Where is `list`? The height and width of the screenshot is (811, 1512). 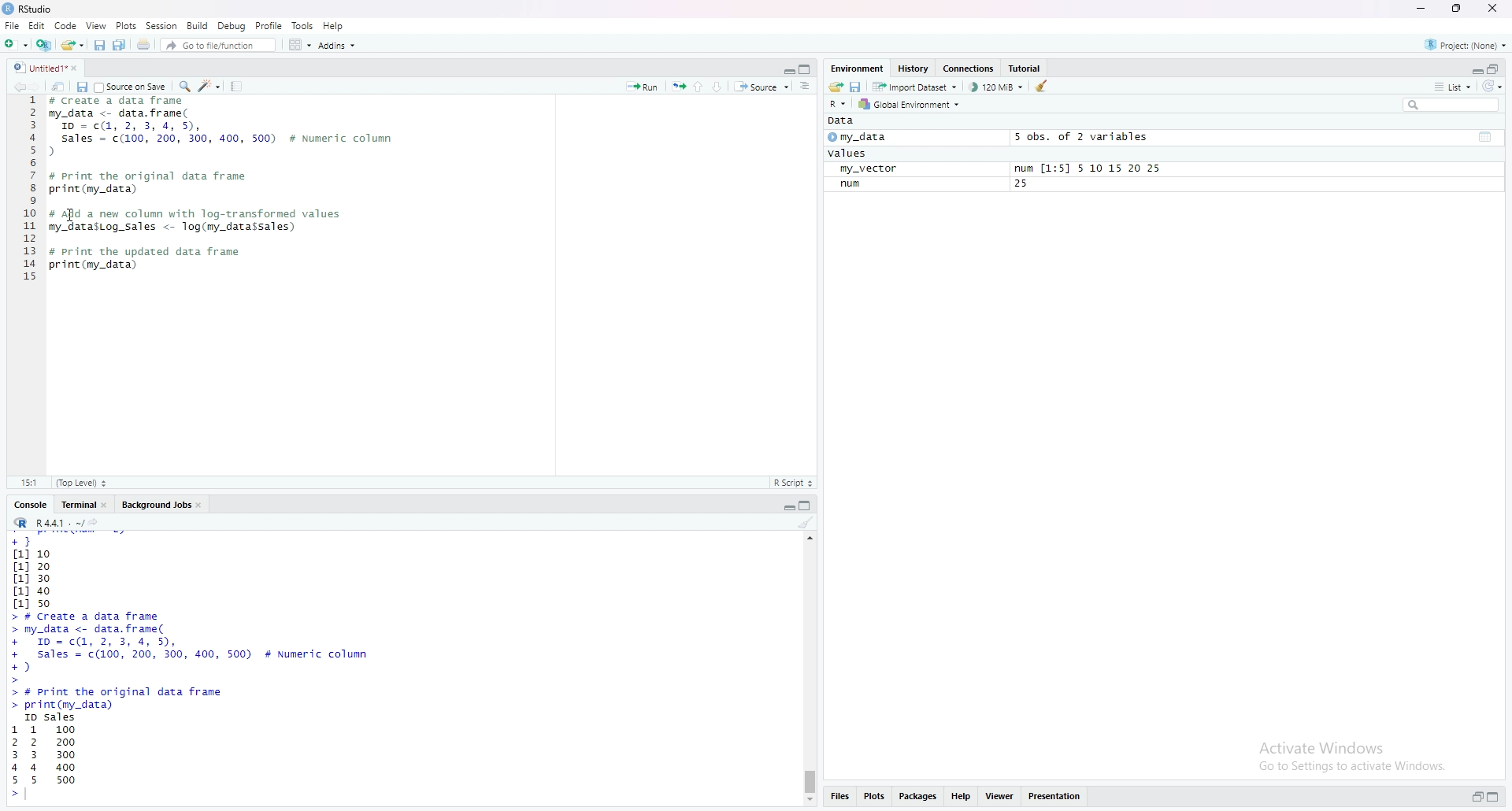
list is located at coordinates (1449, 89).